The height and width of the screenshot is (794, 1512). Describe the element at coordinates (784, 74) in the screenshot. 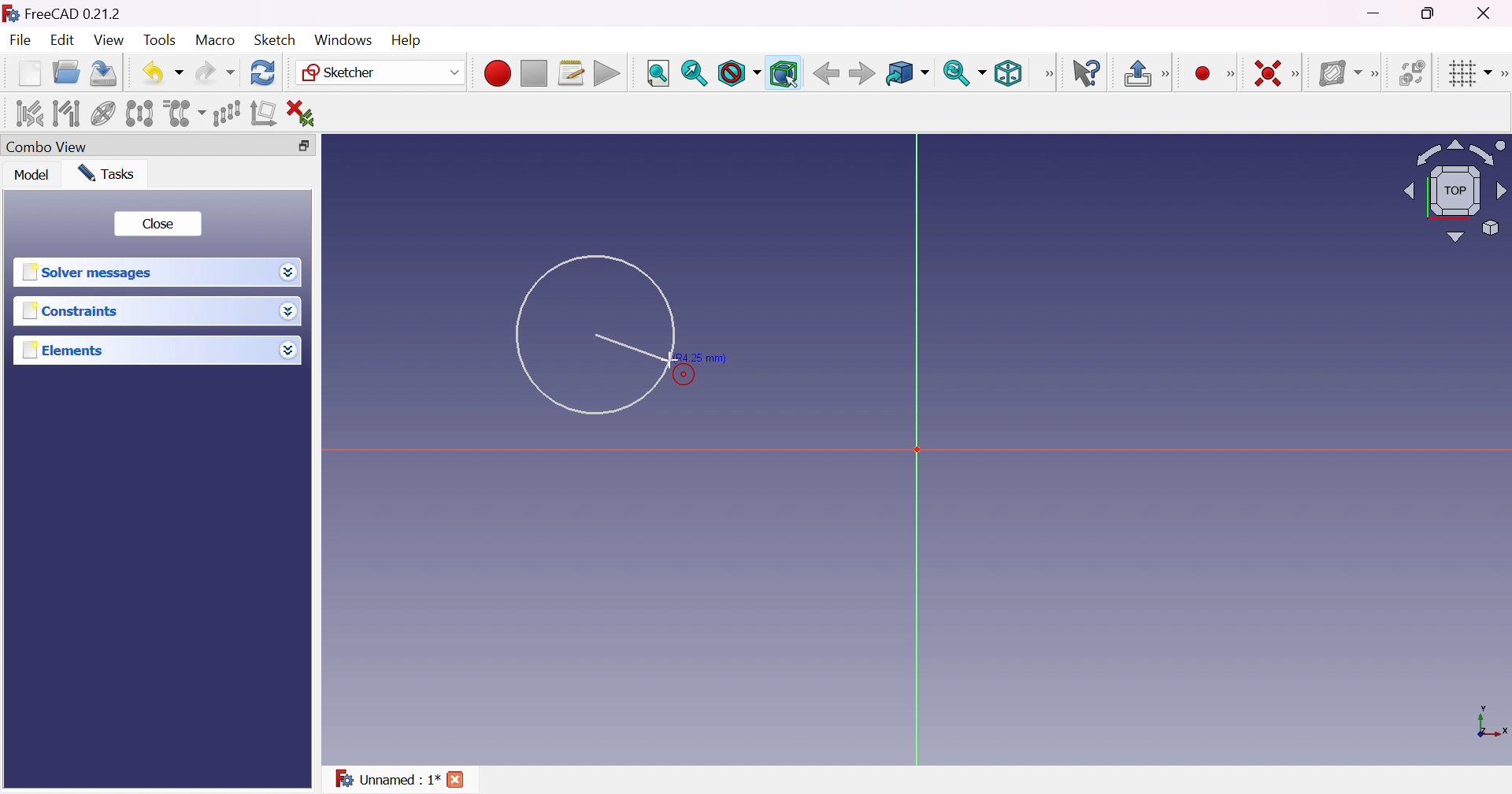

I see `Bounding box` at that location.